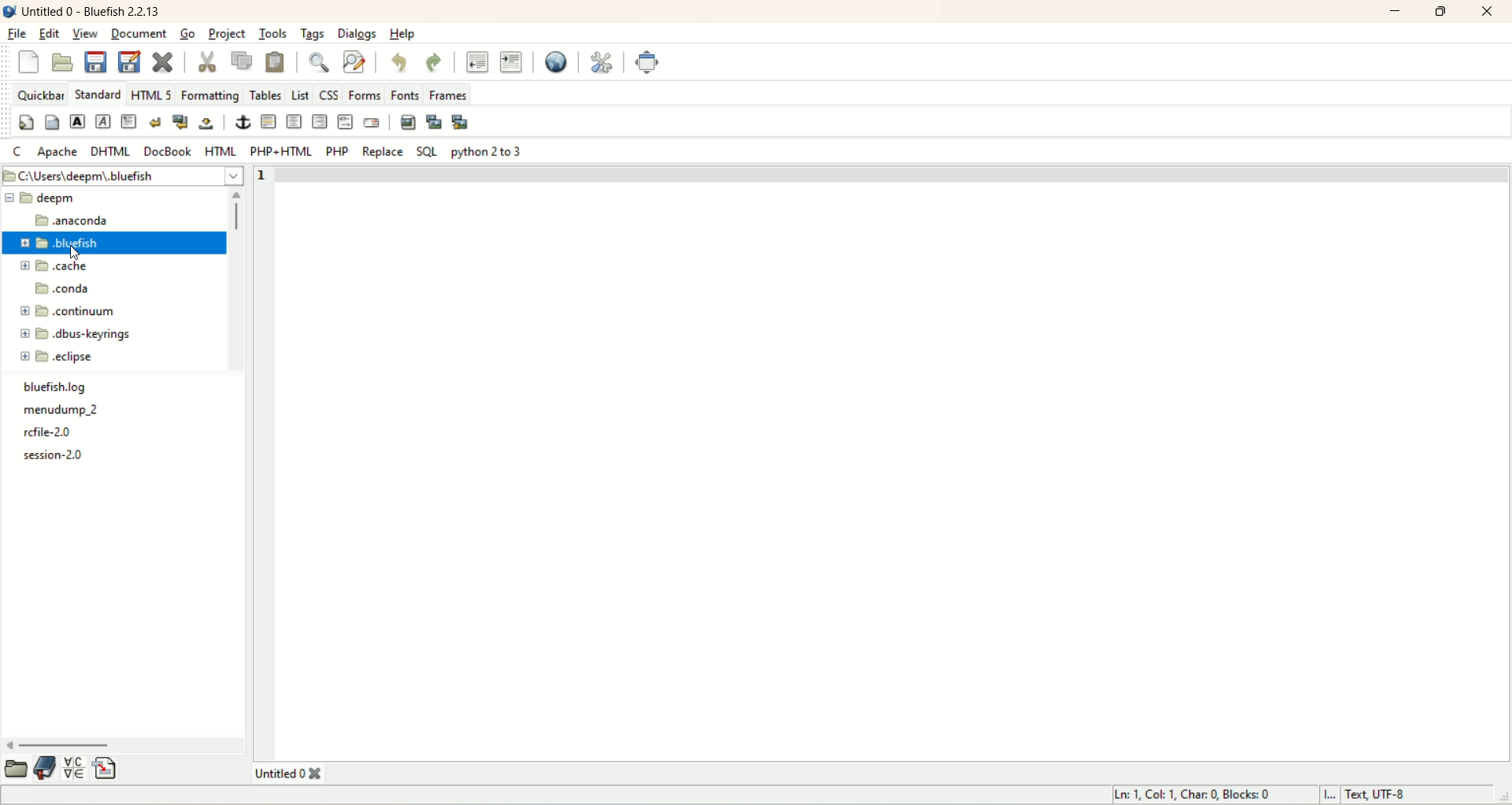 This screenshot has width=1512, height=805. I want to click on indent, so click(511, 63).